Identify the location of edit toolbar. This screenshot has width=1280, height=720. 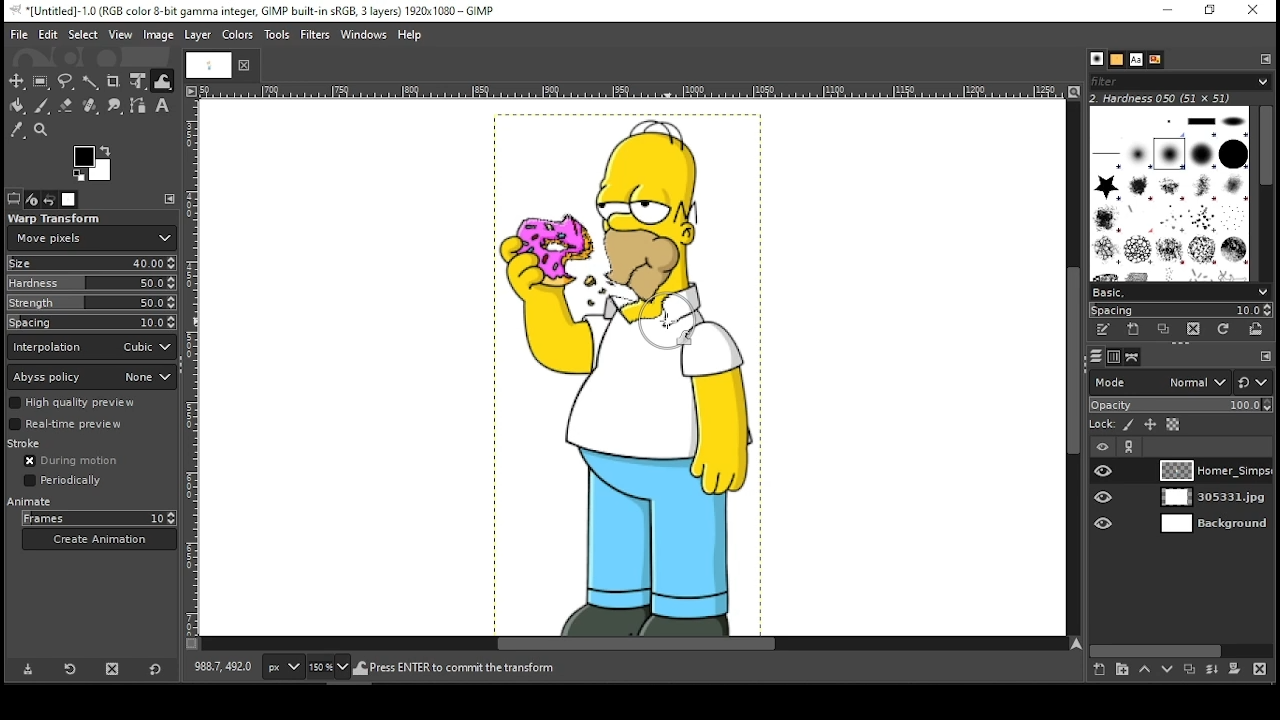
(1269, 59).